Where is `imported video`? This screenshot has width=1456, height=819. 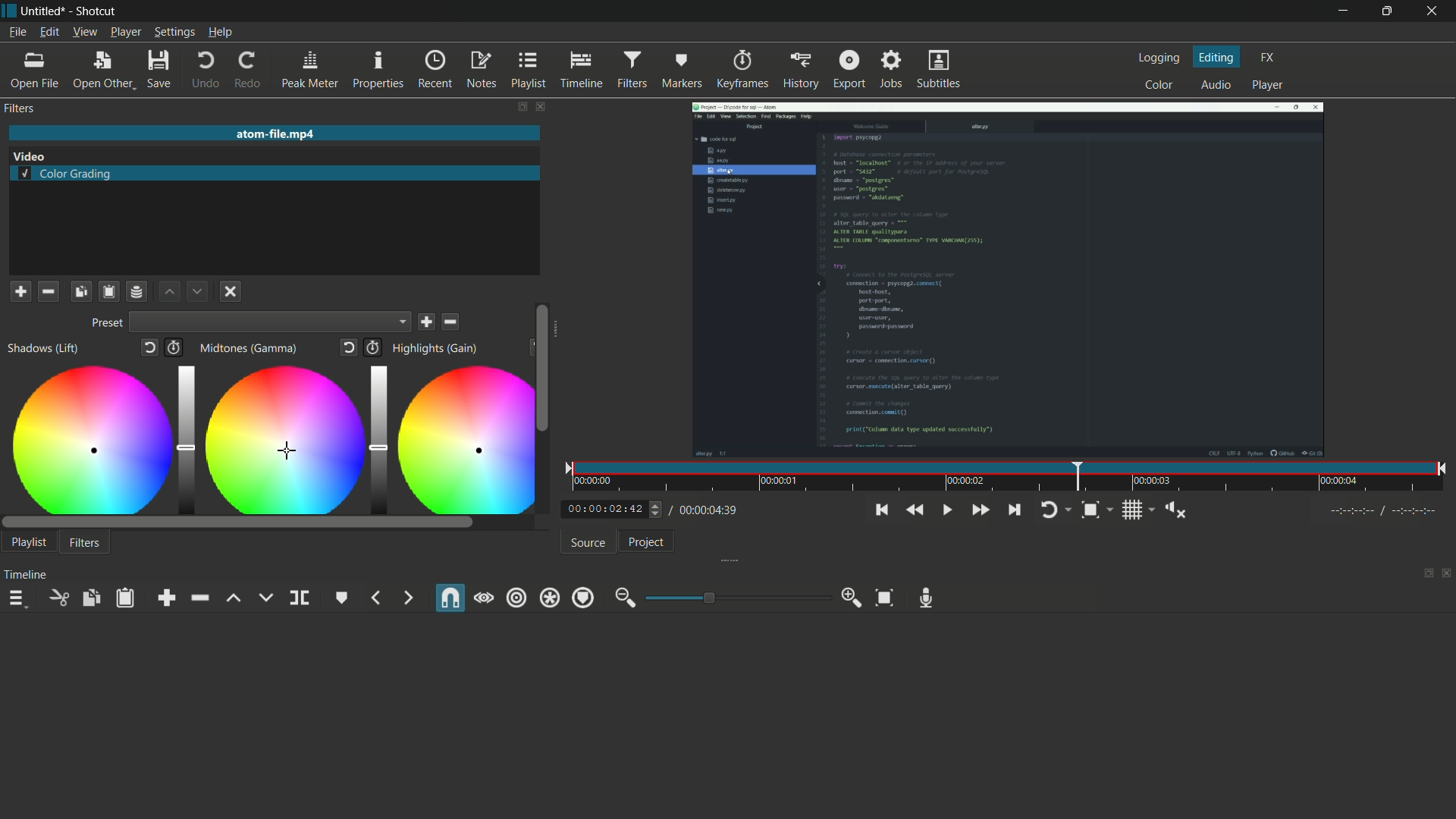 imported video is located at coordinates (1007, 279).